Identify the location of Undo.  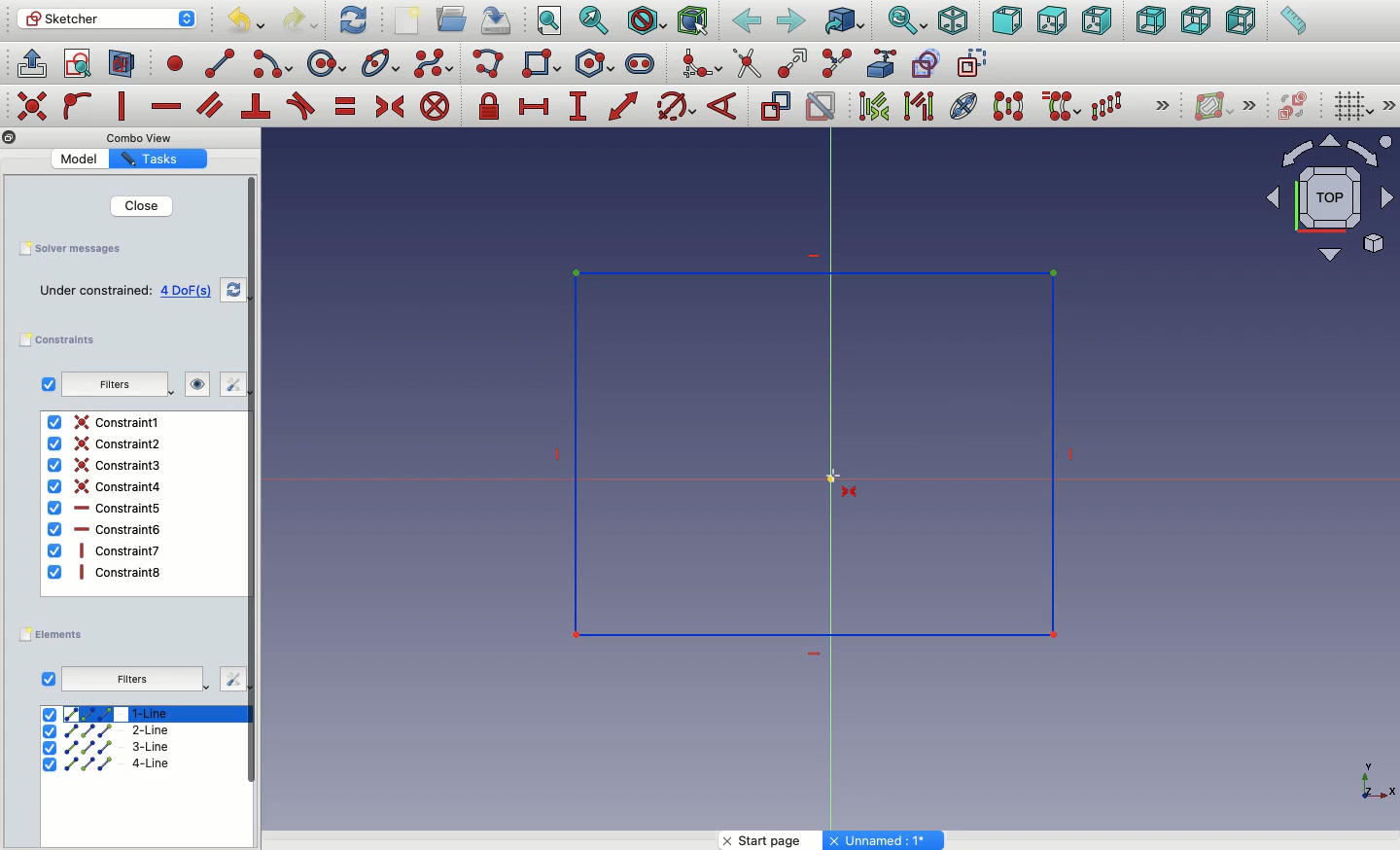
(249, 23).